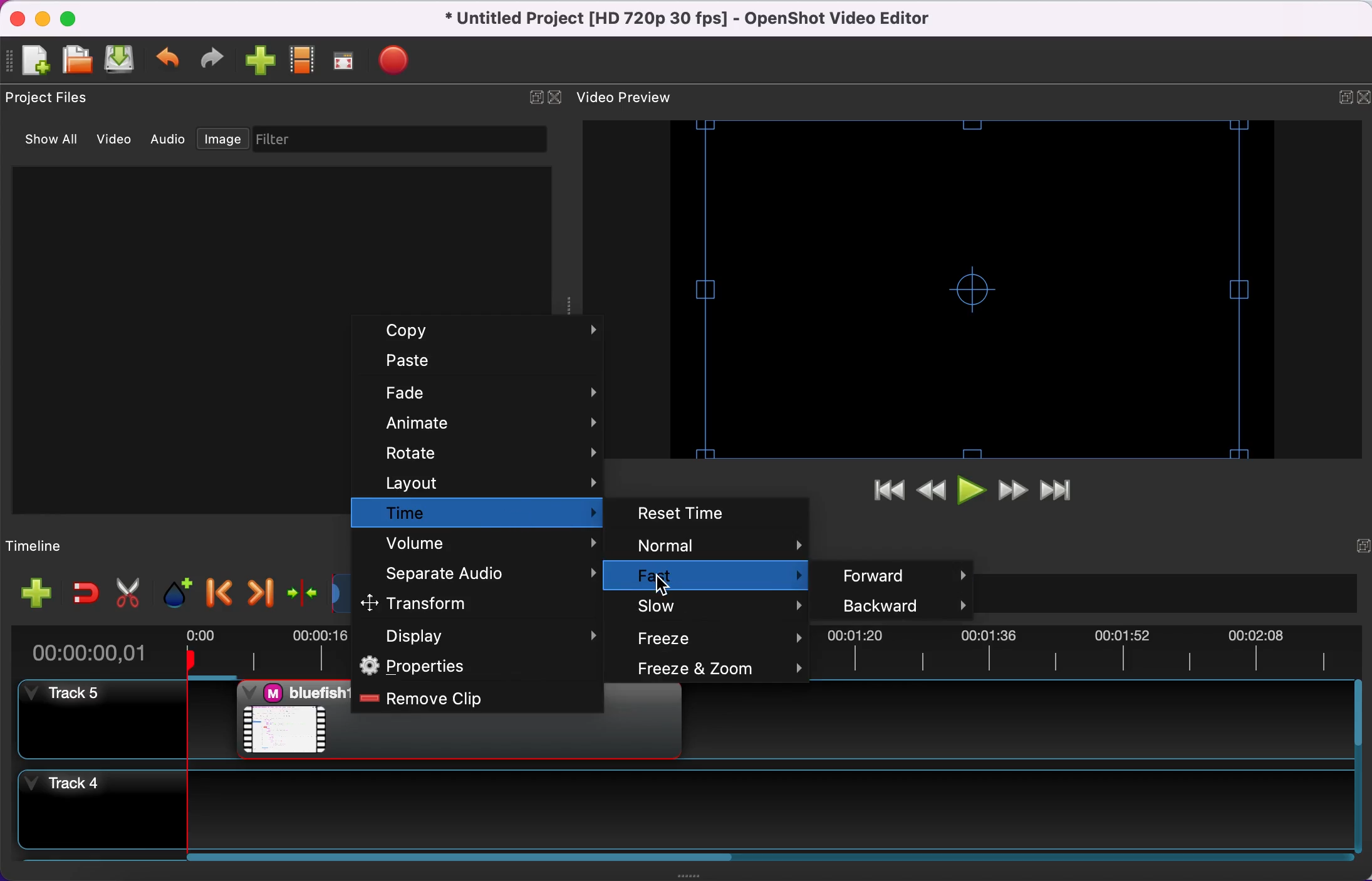 This screenshot has height=881, width=1372. Describe the element at coordinates (720, 607) in the screenshot. I see `slow` at that location.